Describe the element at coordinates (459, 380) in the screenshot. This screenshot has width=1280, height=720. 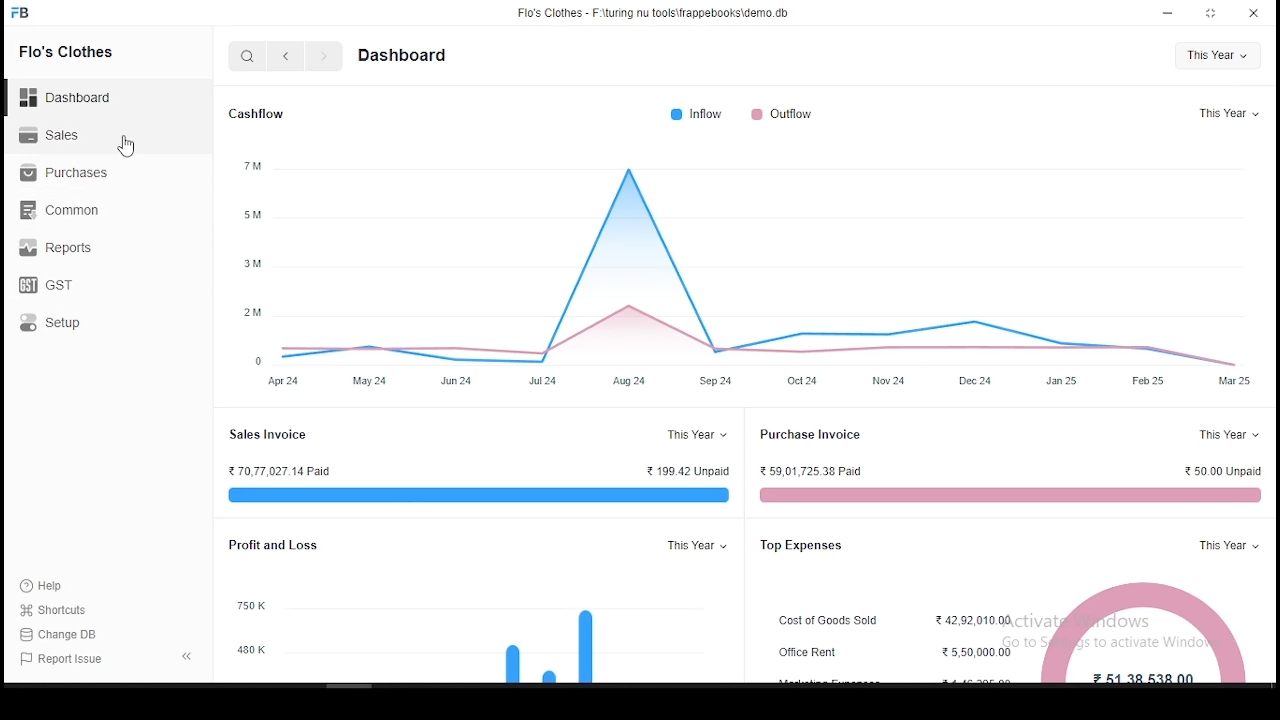
I see `jun 24` at that location.